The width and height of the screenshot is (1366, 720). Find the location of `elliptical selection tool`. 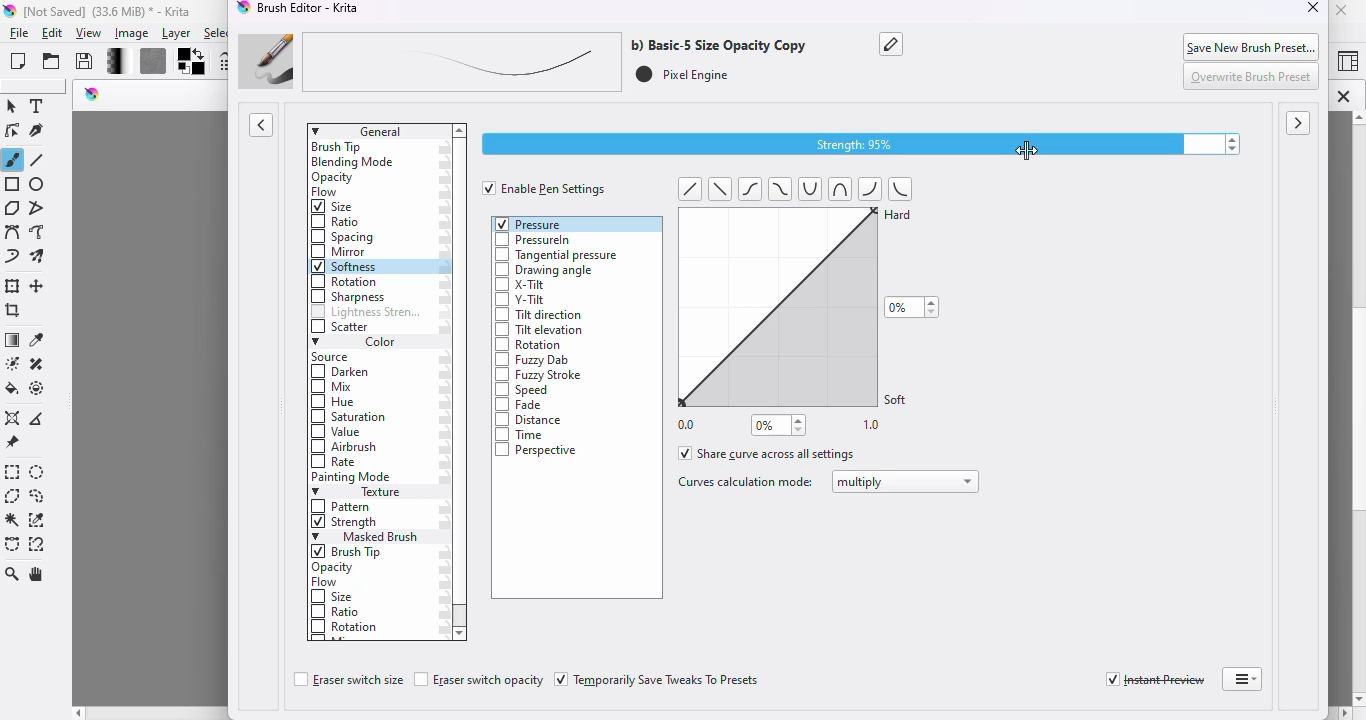

elliptical selection tool is located at coordinates (39, 473).